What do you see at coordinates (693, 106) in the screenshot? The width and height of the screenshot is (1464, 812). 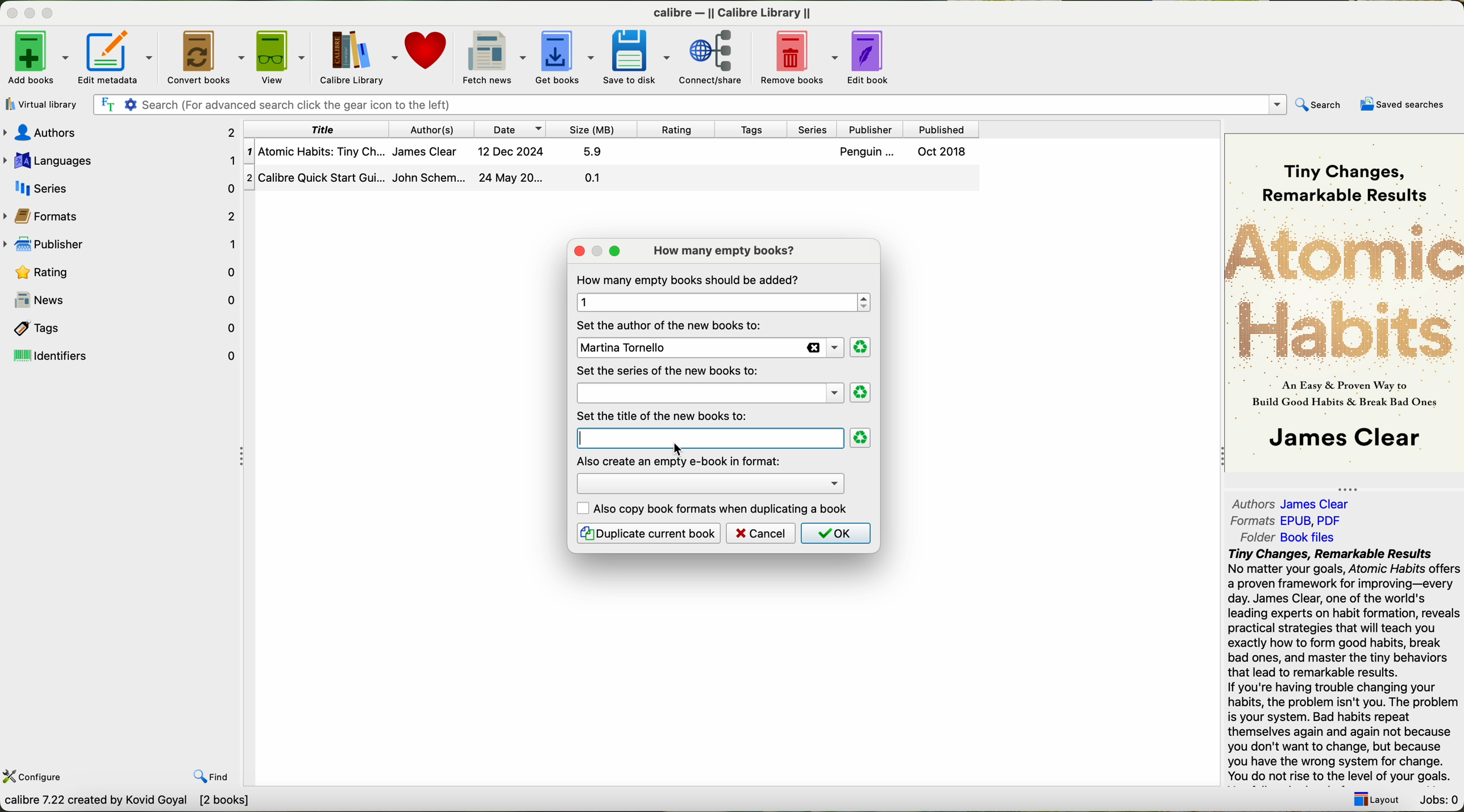 I see `search bar` at bounding box center [693, 106].